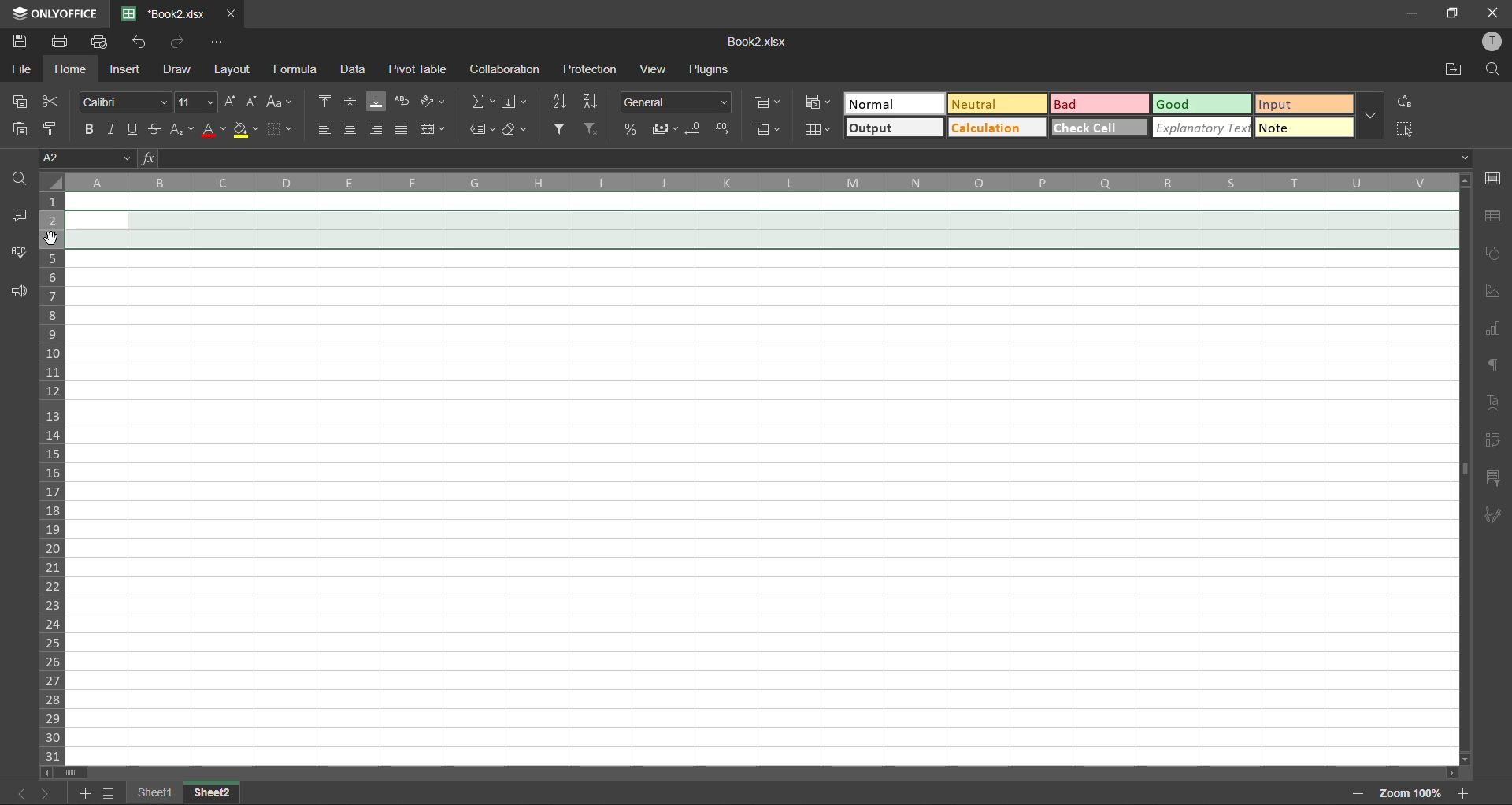 This screenshot has height=805, width=1512. I want to click on fx (formula), so click(148, 158).